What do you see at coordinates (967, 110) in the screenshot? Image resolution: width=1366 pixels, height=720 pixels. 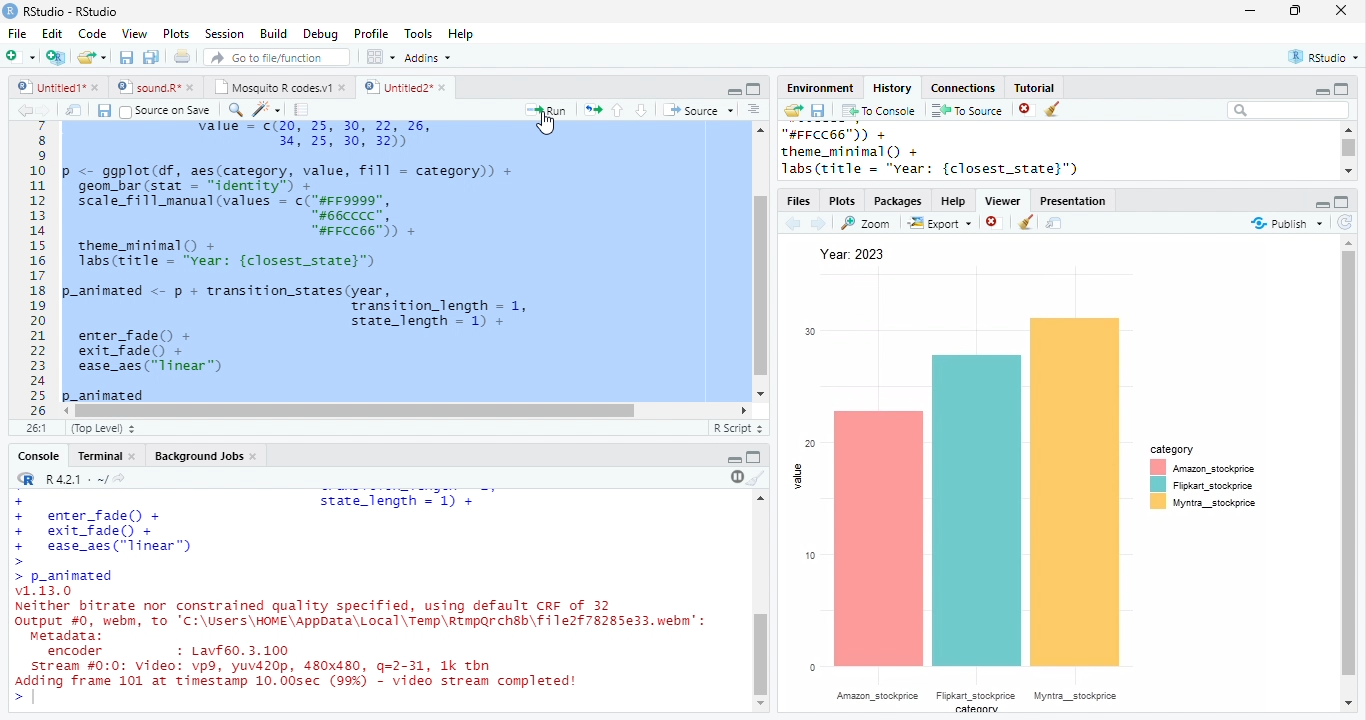 I see `To Source` at bounding box center [967, 110].